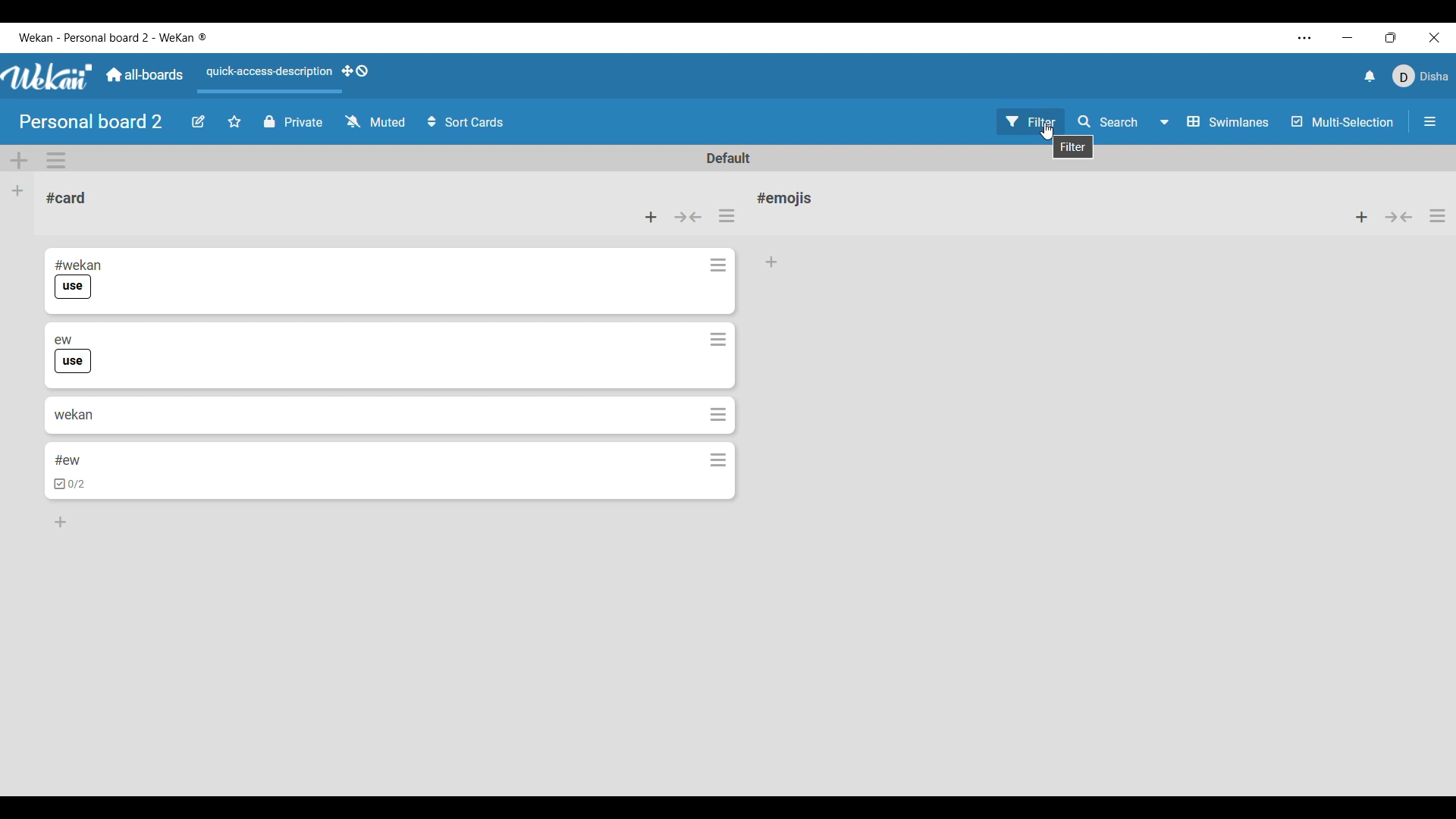 Image resolution: width=1456 pixels, height=819 pixels. What do you see at coordinates (1106, 121) in the screenshot?
I see `Search` at bounding box center [1106, 121].